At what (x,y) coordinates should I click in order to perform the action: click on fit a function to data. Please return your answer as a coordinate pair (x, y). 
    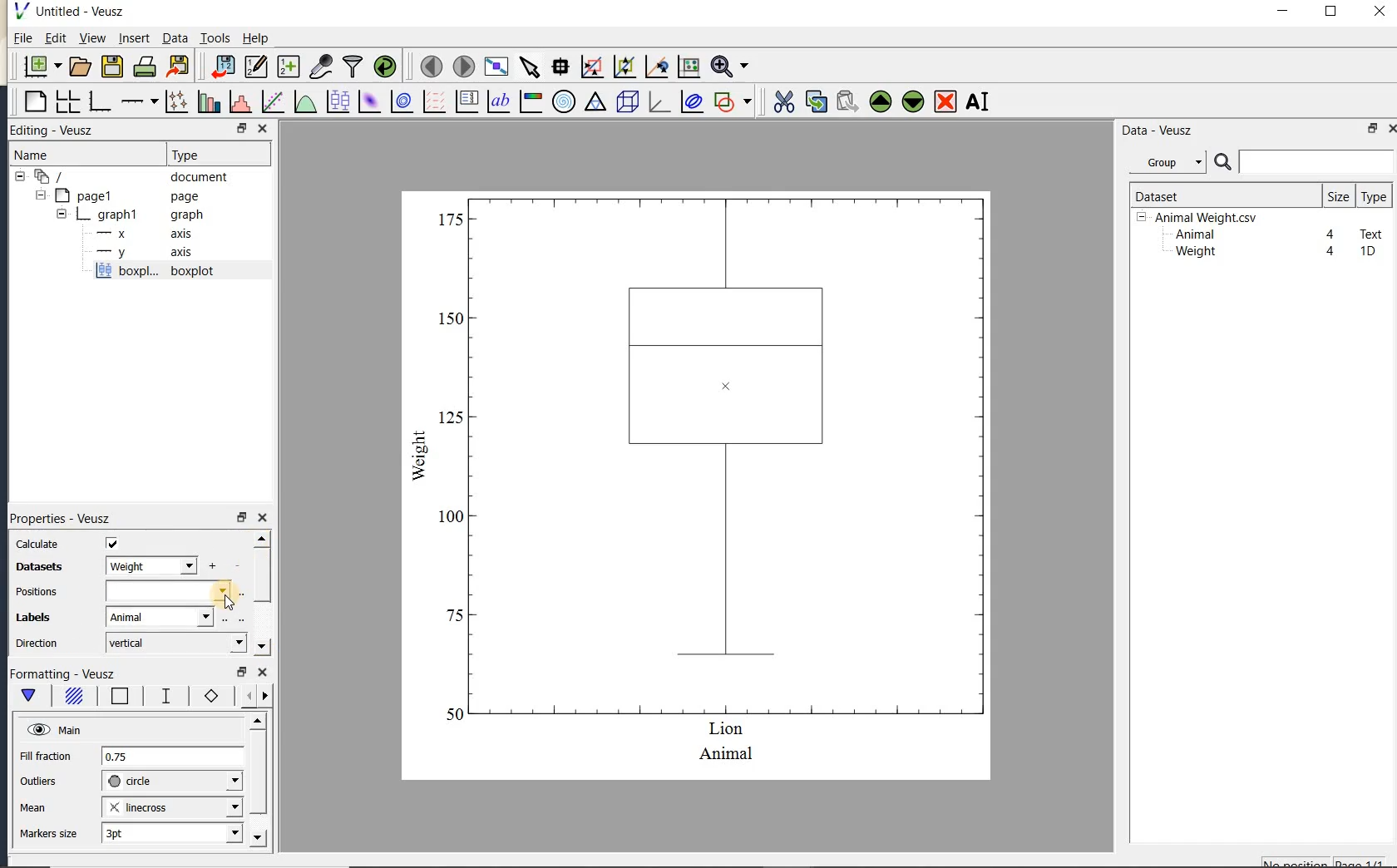
    Looking at the image, I should click on (272, 101).